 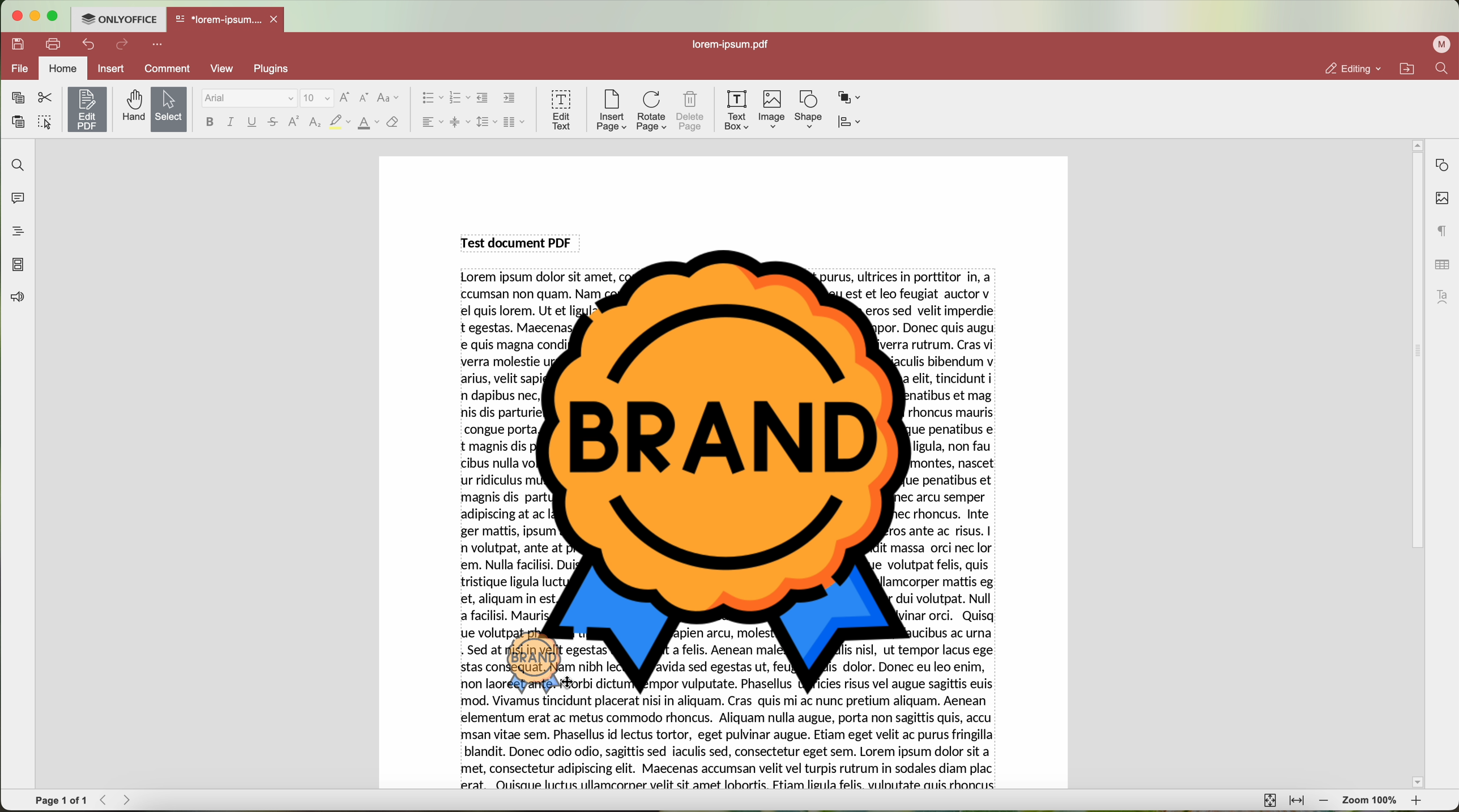 What do you see at coordinates (131, 800) in the screenshot?
I see `Forward` at bounding box center [131, 800].